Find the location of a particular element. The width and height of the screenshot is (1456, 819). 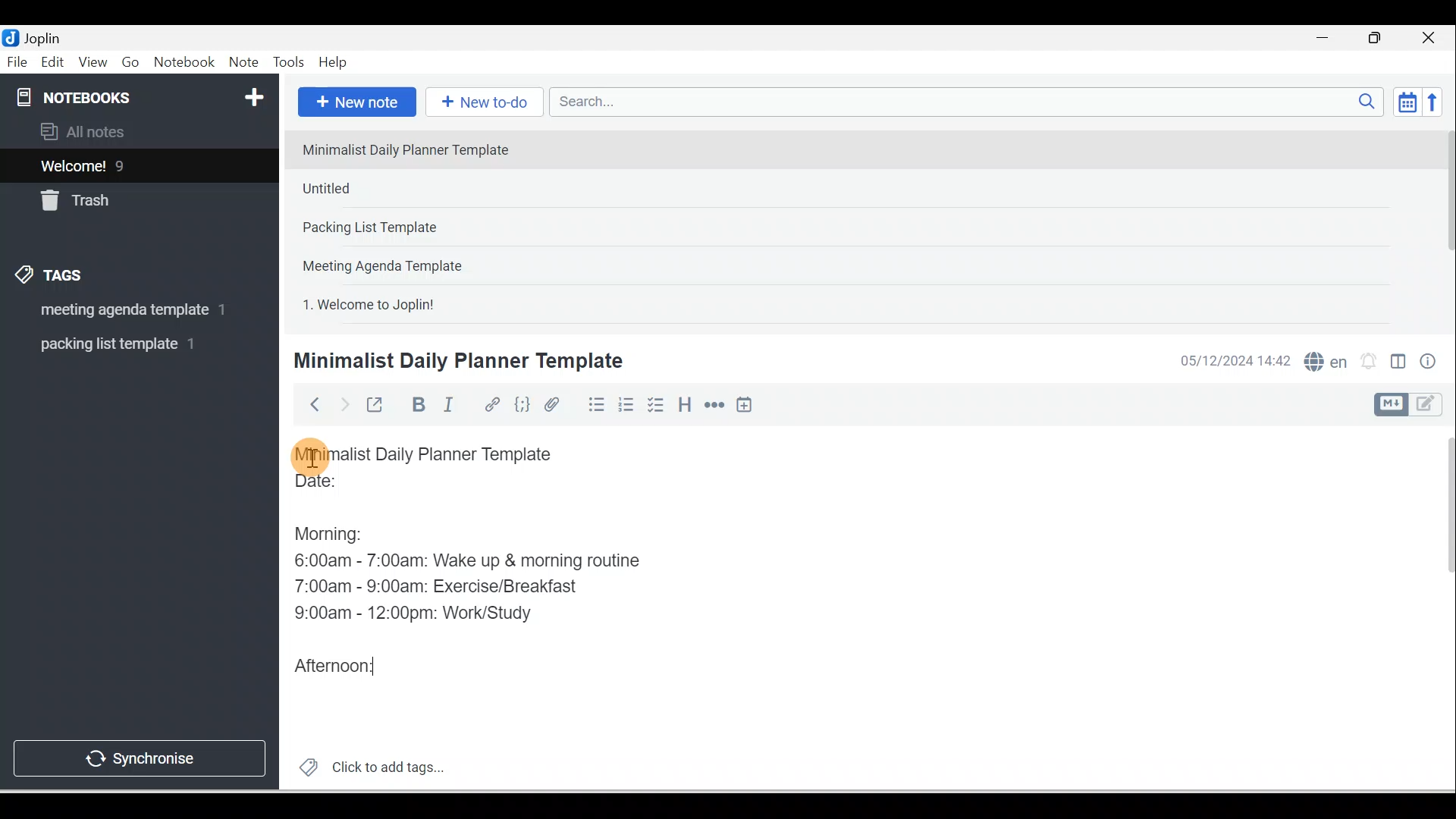

Toggle editor layout is located at coordinates (1414, 405).